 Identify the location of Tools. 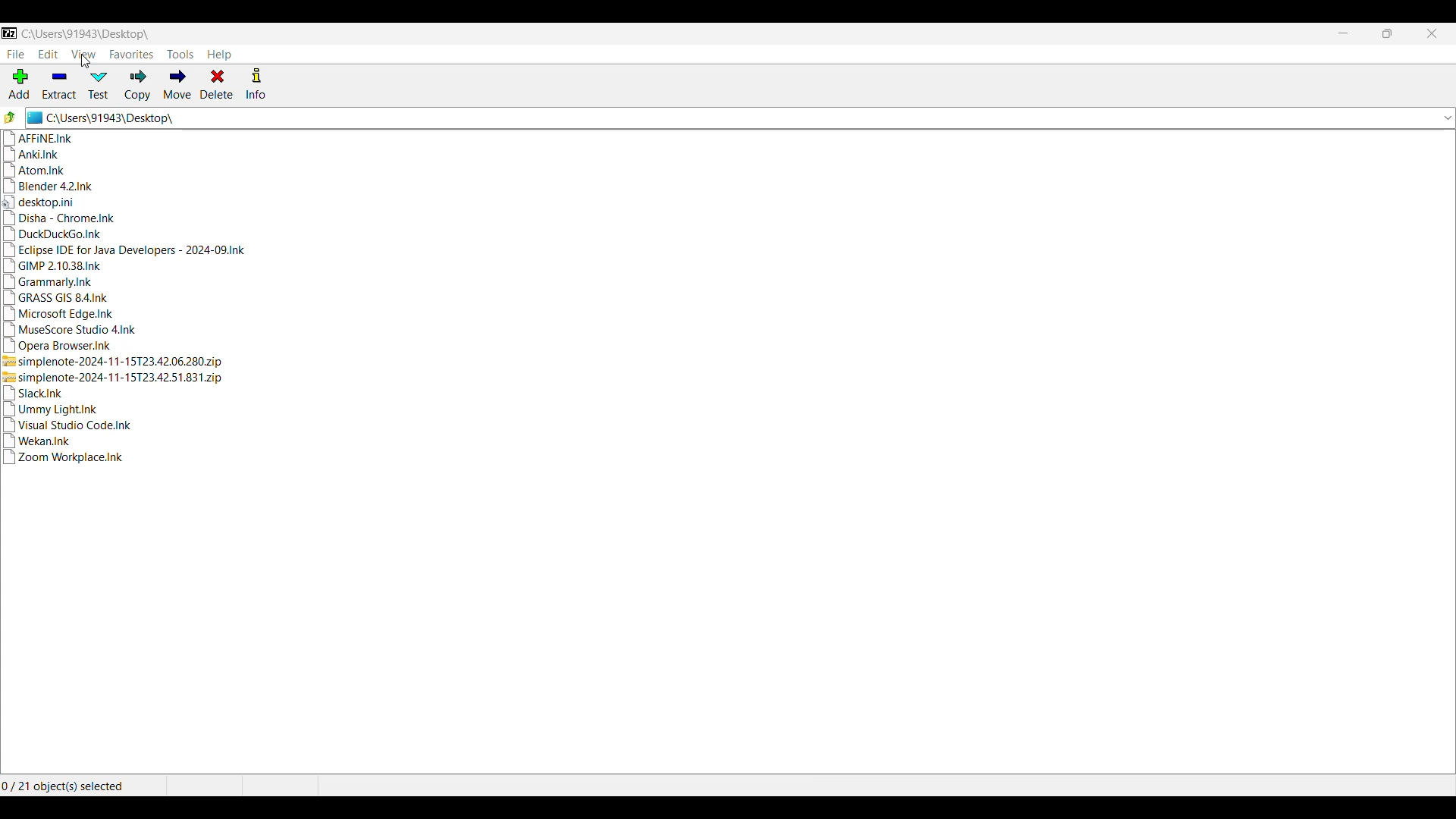
(180, 55).